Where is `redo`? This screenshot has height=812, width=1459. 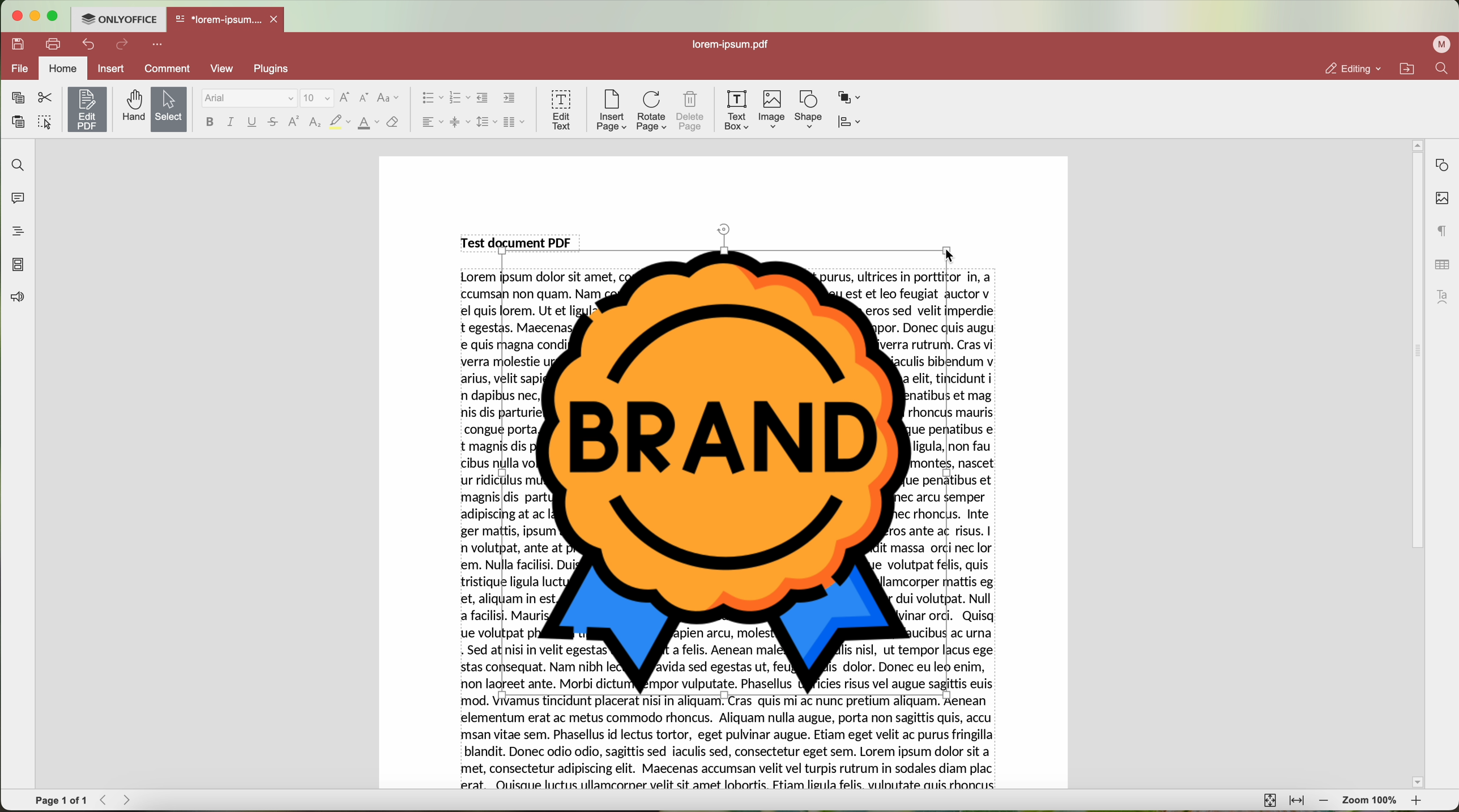
redo is located at coordinates (122, 45).